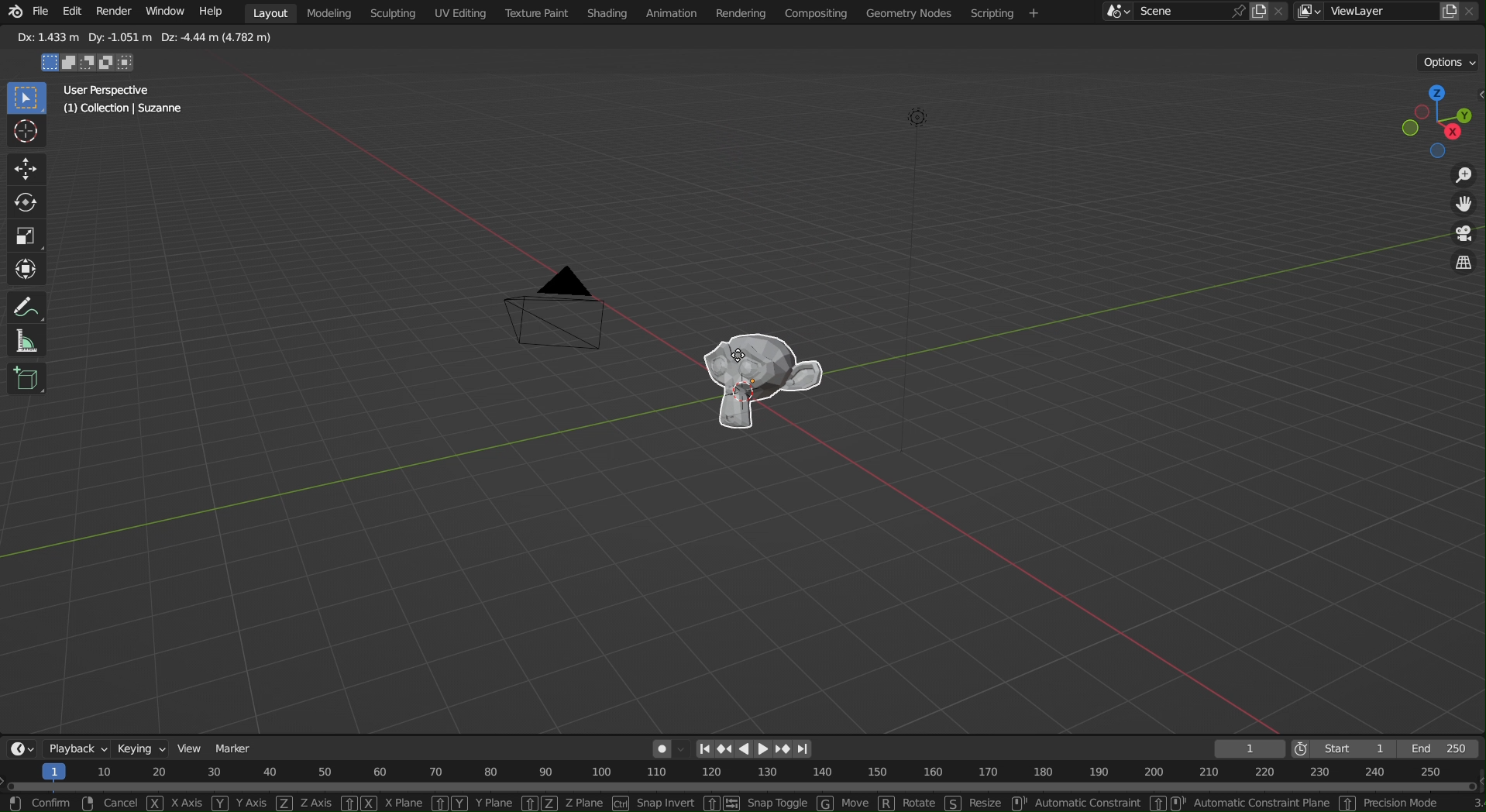 The width and height of the screenshot is (1486, 812). I want to click on shift and right click, so click(1167, 802).